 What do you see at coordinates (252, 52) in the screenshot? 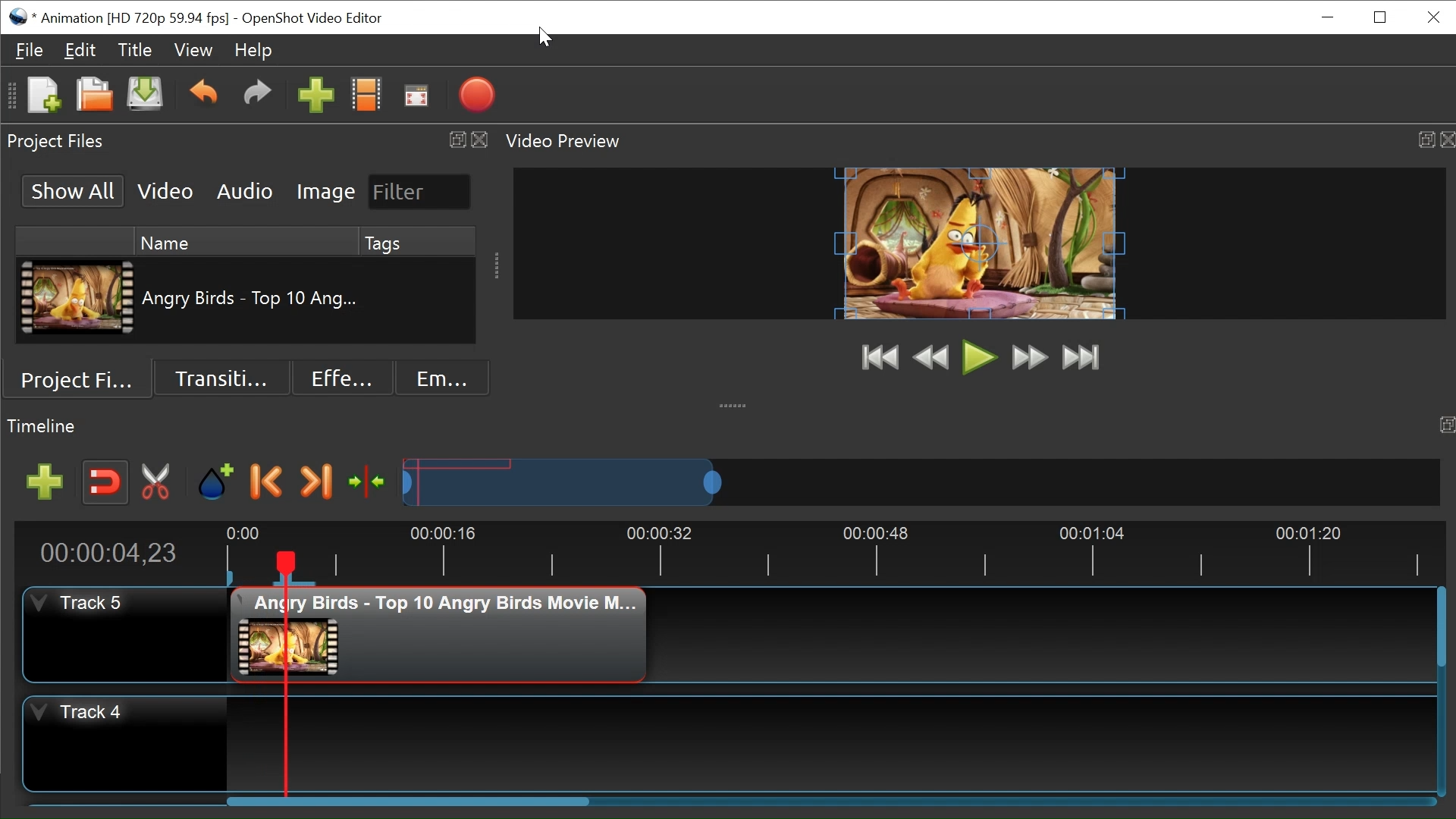
I see `Help` at bounding box center [252, 52].